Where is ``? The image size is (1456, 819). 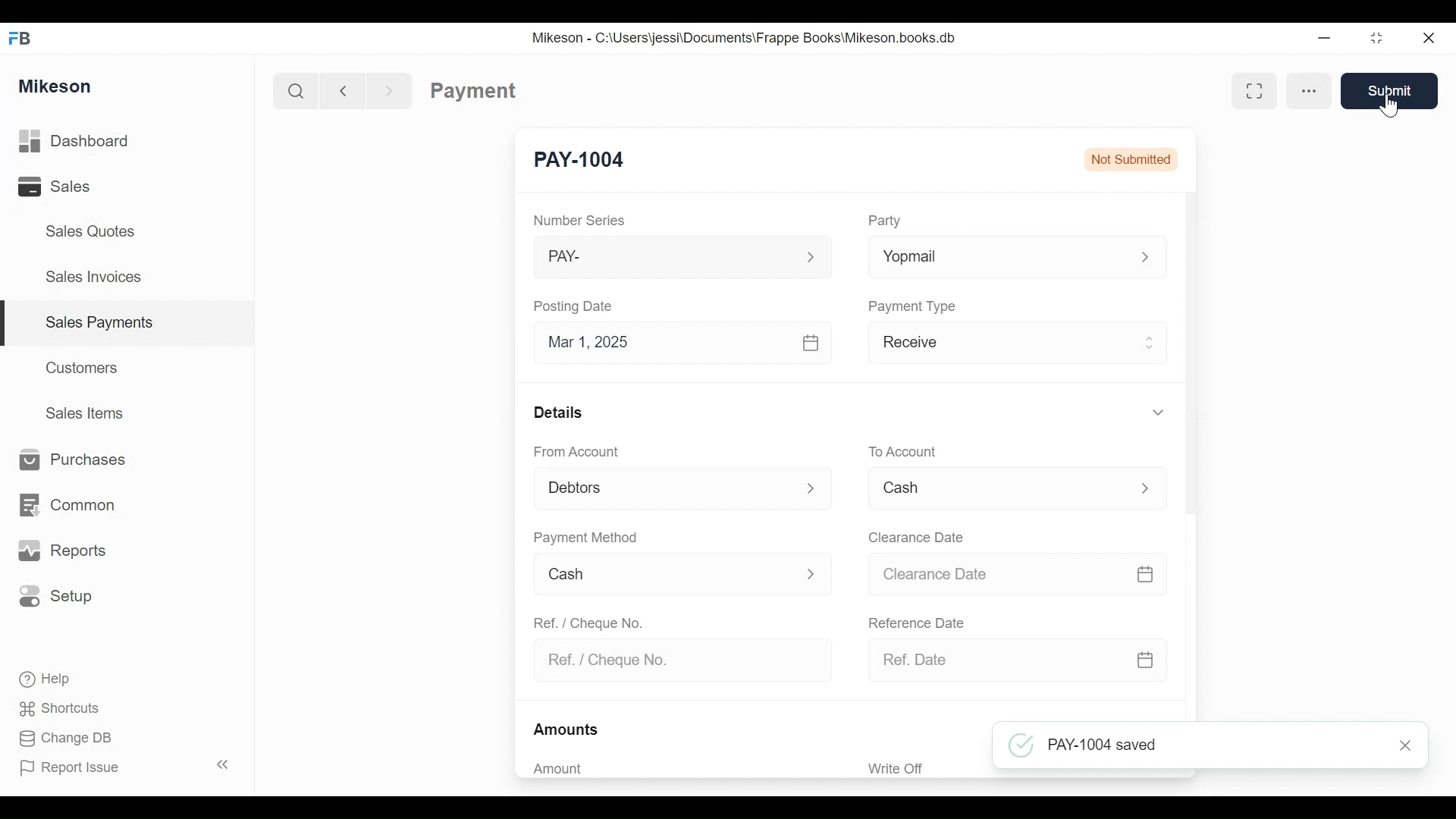  is located at coordinates (1016, 484).